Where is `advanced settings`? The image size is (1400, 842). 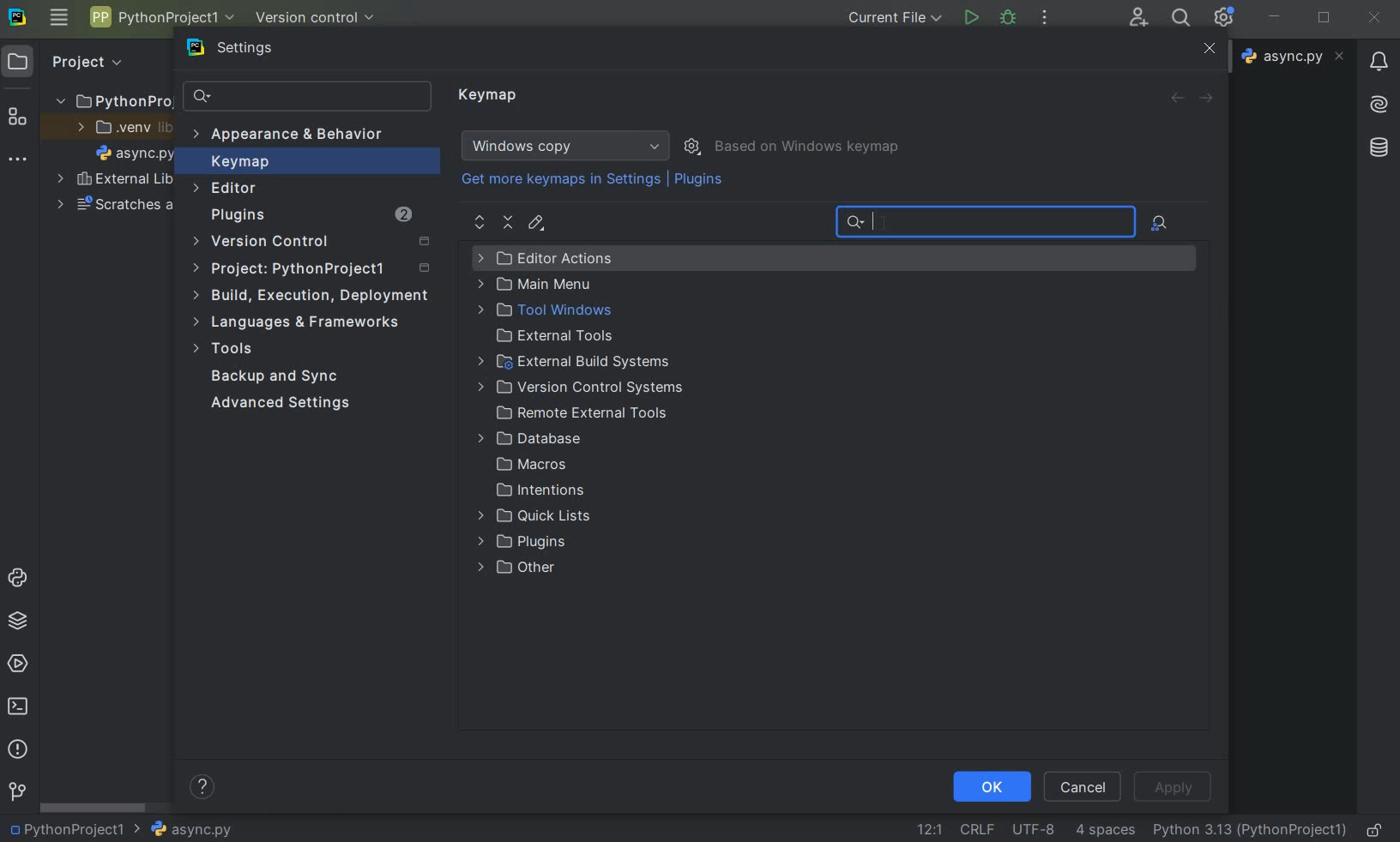
advanced settings is located at coordinates (277, 403).